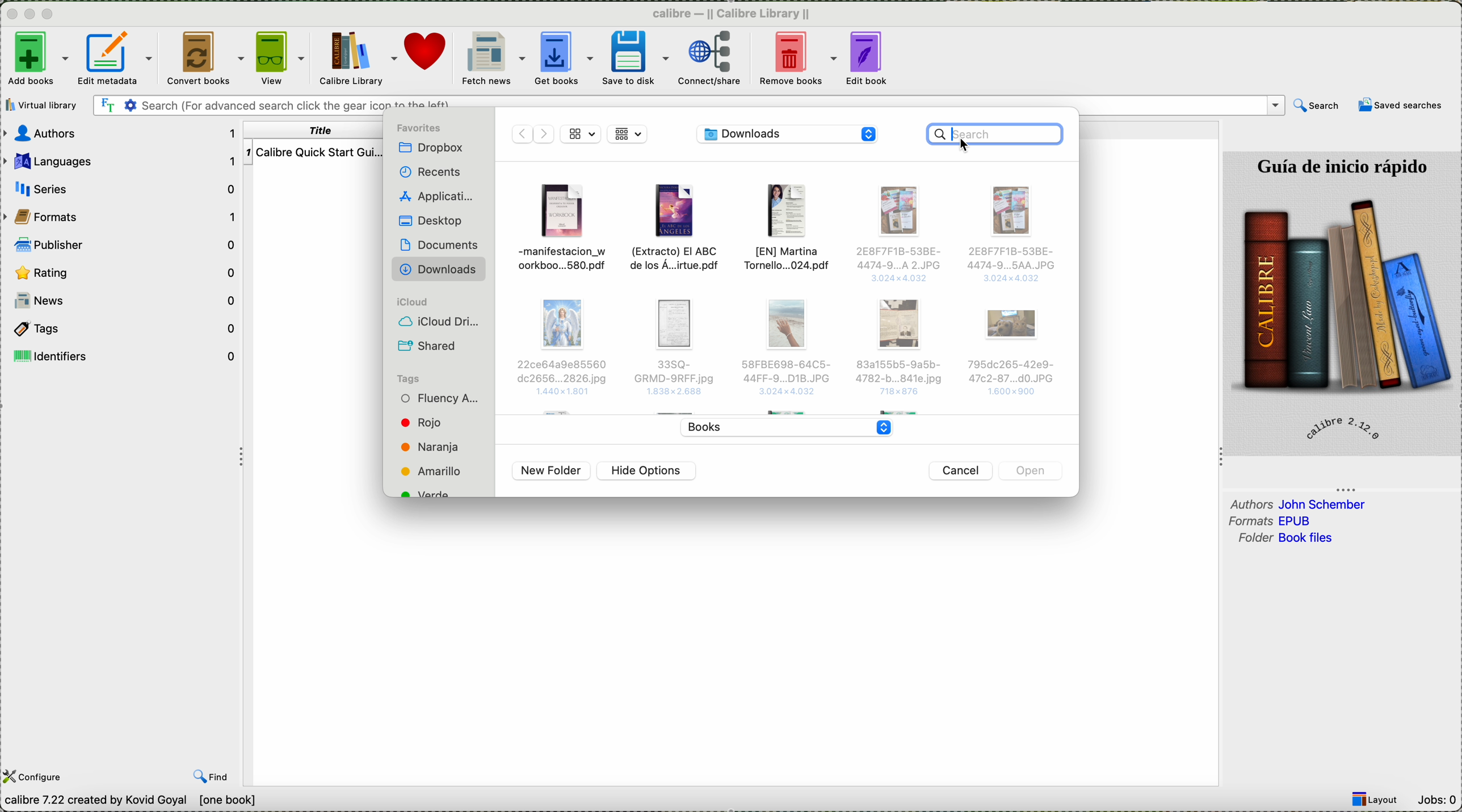 Image resolution: width=1462 pixels, height=812 pixels. Describe the element at coordinates (688, 104) in the screenshot. I see `search bar` at that location.